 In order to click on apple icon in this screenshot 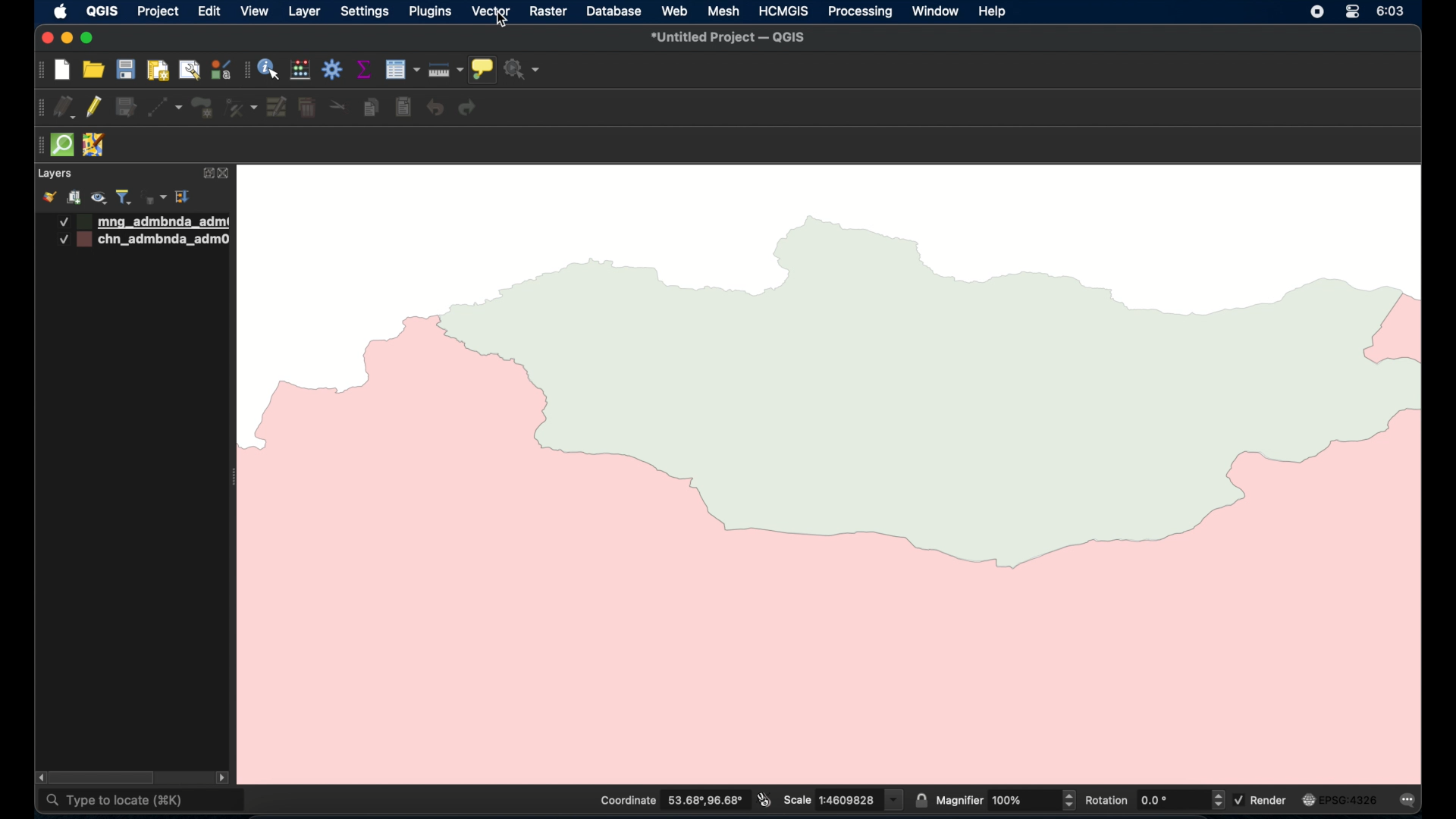, I will do `click(61, 11)`.